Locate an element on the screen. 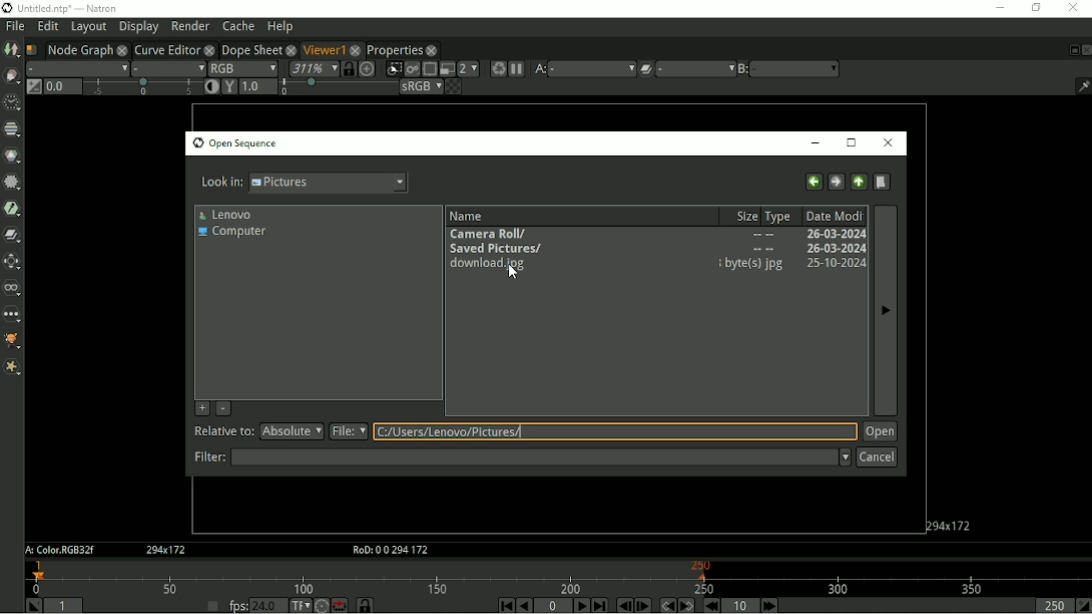  Enable region of interest that limit the portion of the viewer is located at coordinates (429, 69).